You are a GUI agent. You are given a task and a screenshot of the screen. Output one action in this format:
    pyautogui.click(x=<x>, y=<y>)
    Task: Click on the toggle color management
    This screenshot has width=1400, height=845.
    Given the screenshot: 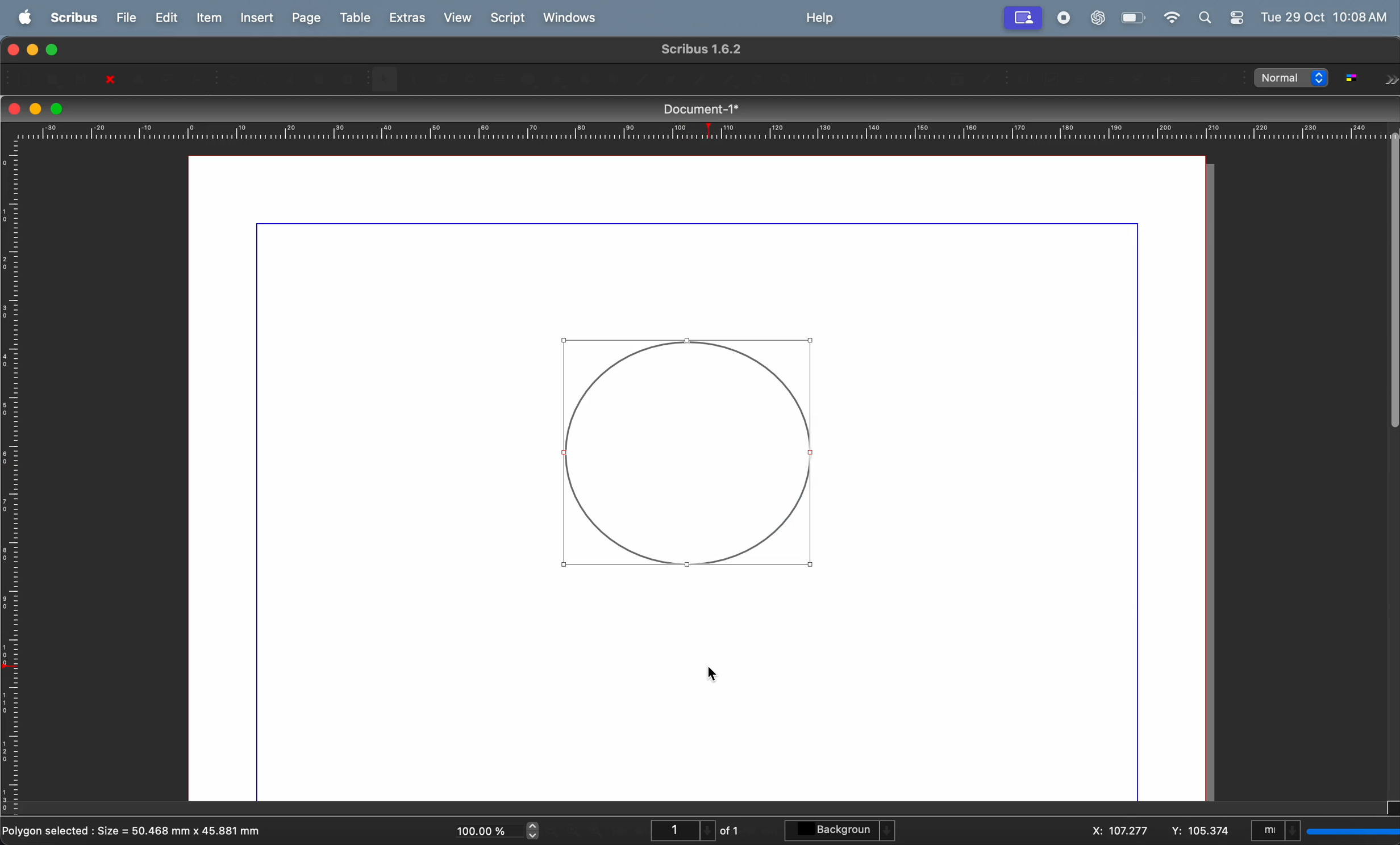 What is the action you would take?
    pyautogui.click(x=1357, y=78)
    